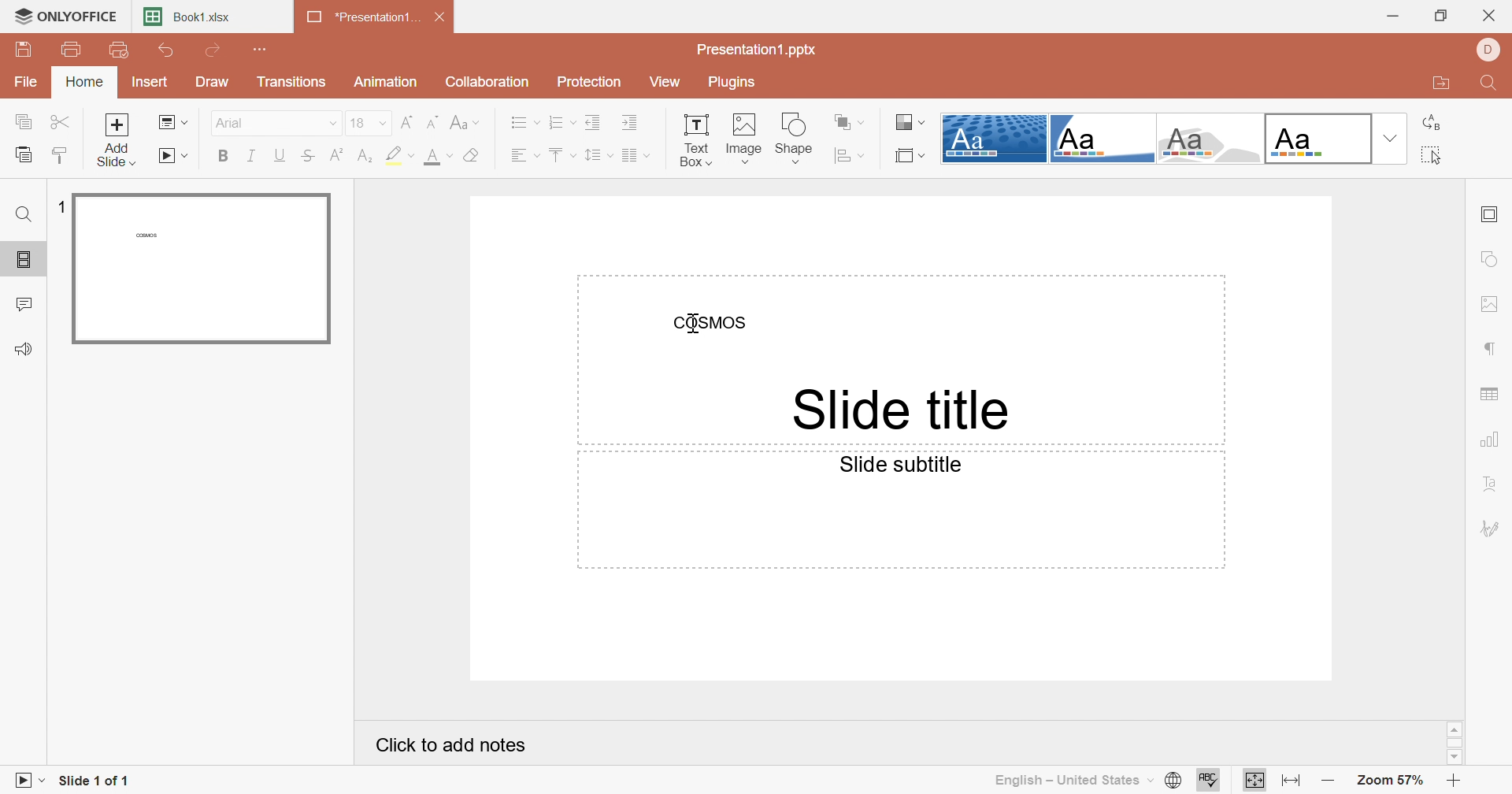 Image resolution: width=1512 pixels, height=794 pixels. What do you see at coordinates (83, 83) in the screenshot?
I see `Home` at bounding box center [83, 83].